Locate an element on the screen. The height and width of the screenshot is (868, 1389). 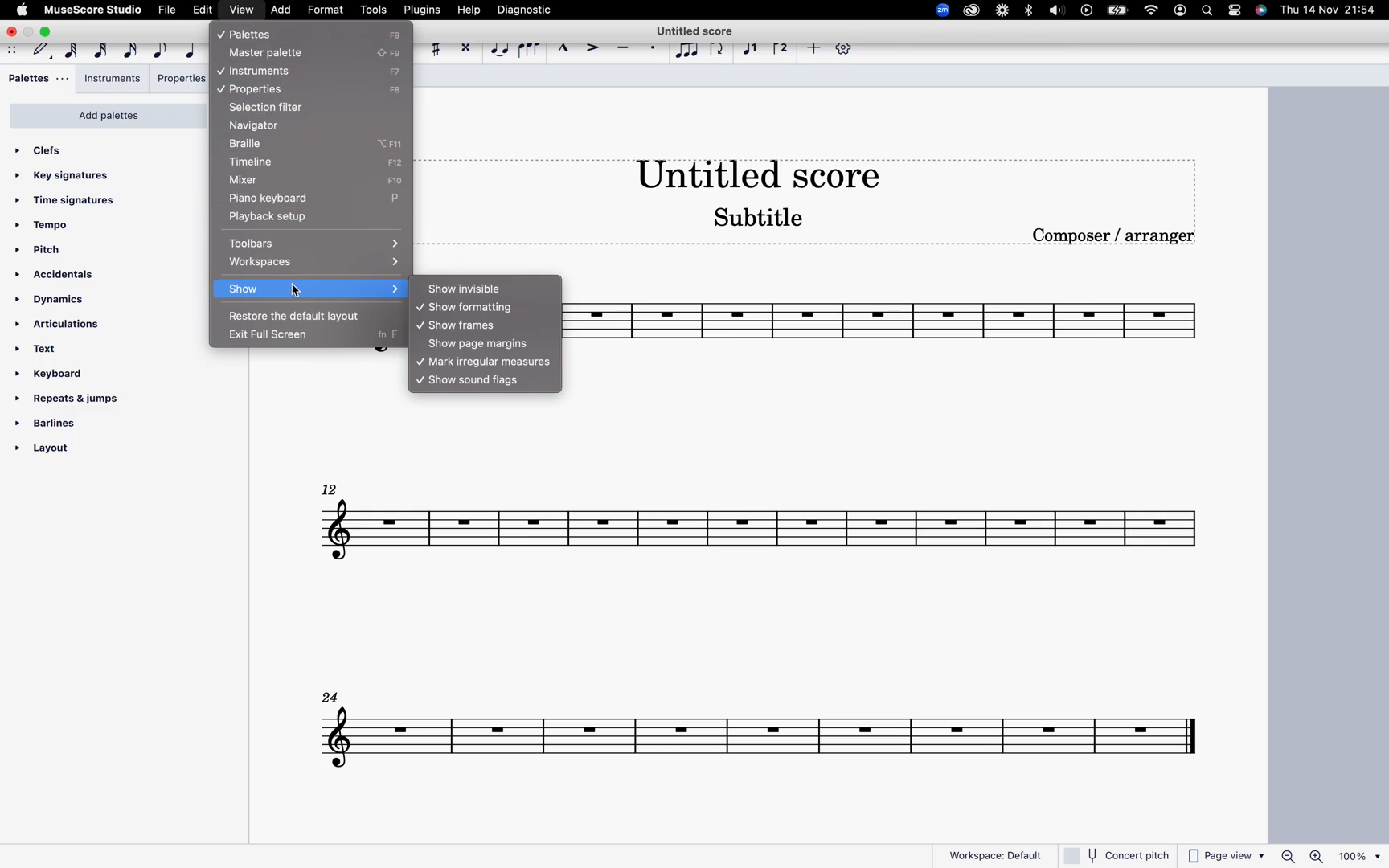
show is located at coordinates (309, 290).